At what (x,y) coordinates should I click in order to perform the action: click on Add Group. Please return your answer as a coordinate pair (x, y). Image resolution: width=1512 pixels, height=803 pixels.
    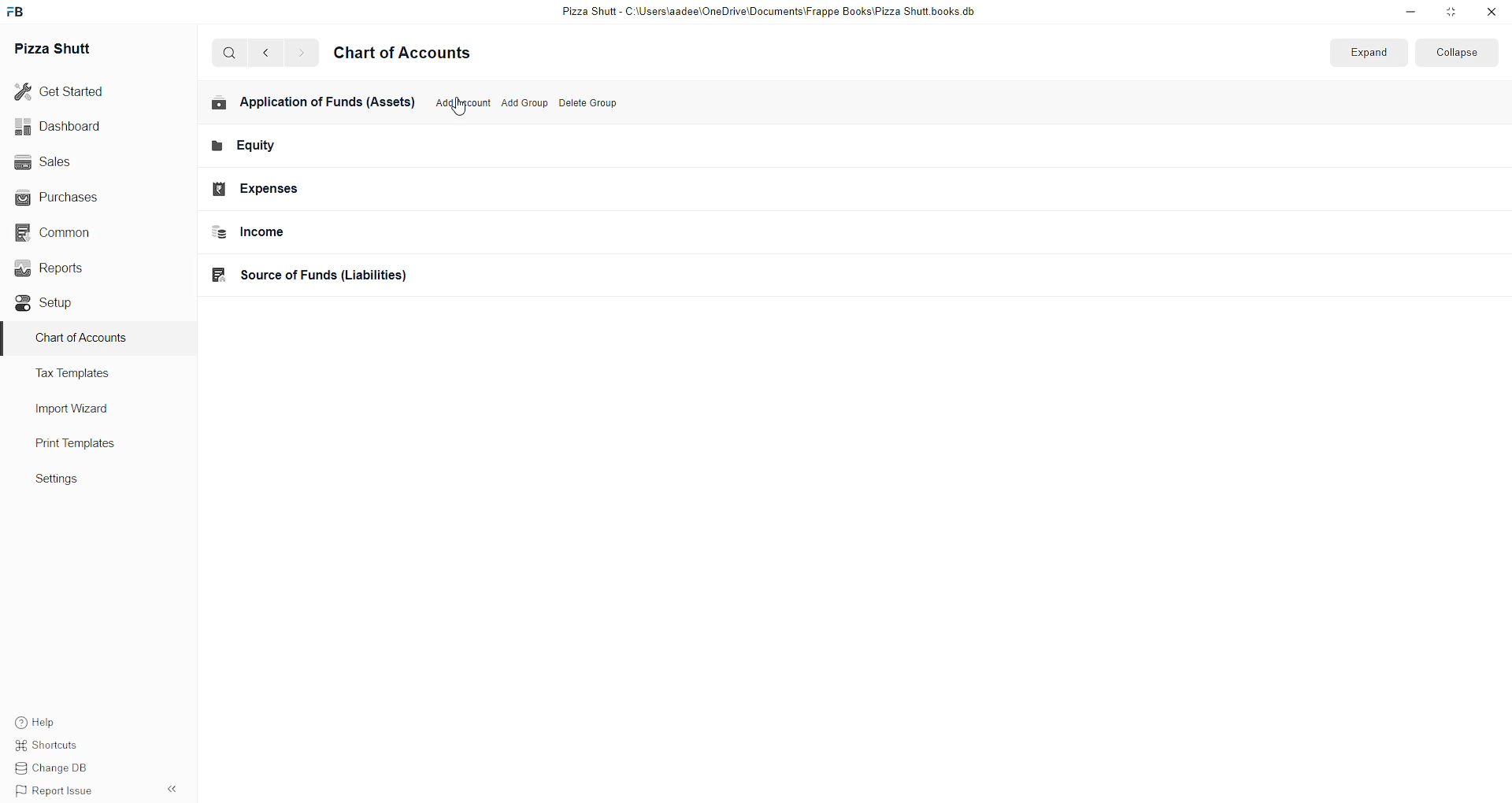
    Looking at the image, I should click on (523, 104).